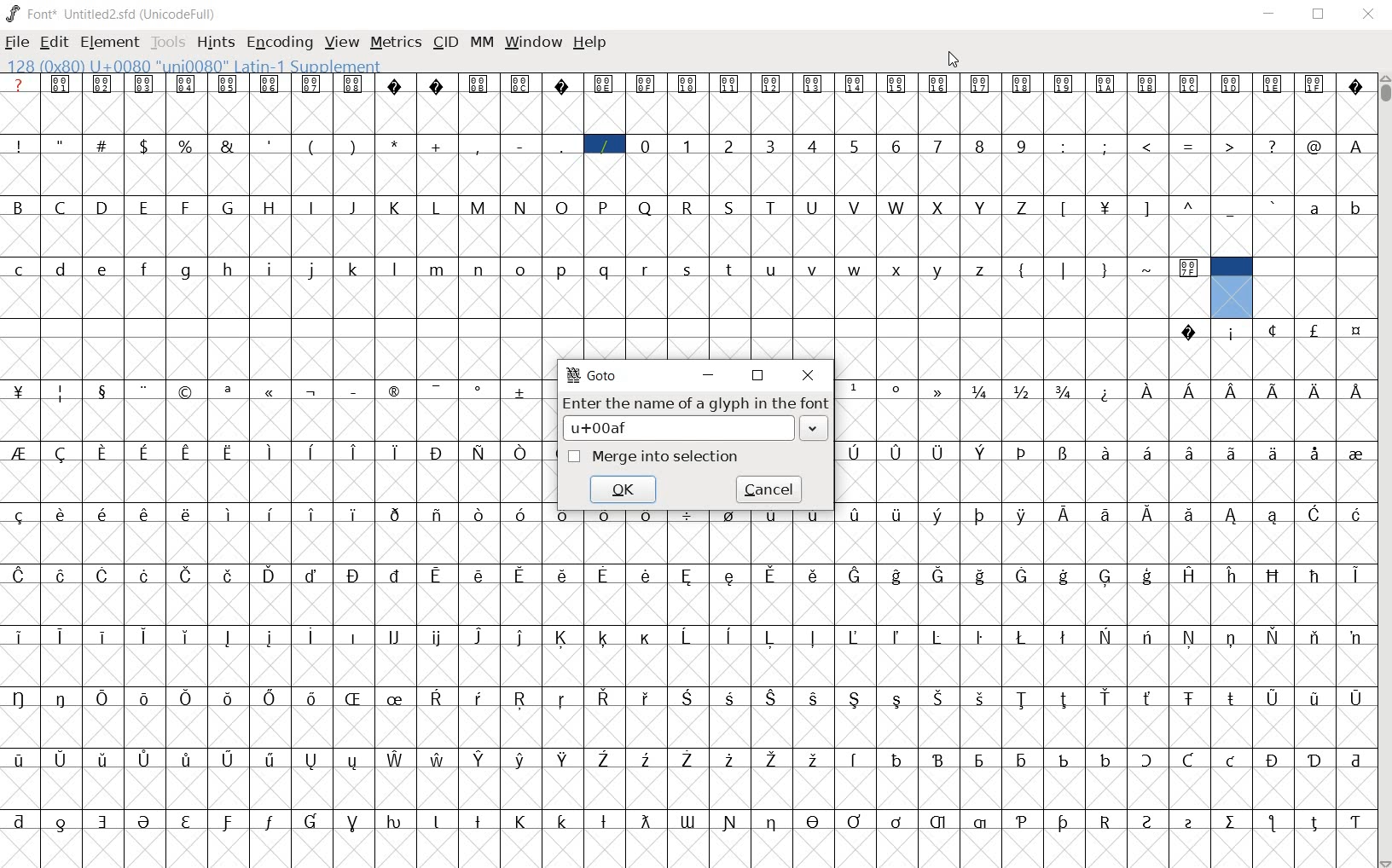 This screenshot has width=1392, height=868. What do you see at coordinates (1354, 512) in the screenshot?
I see `Symbol` at bounding box center [1354, 512].